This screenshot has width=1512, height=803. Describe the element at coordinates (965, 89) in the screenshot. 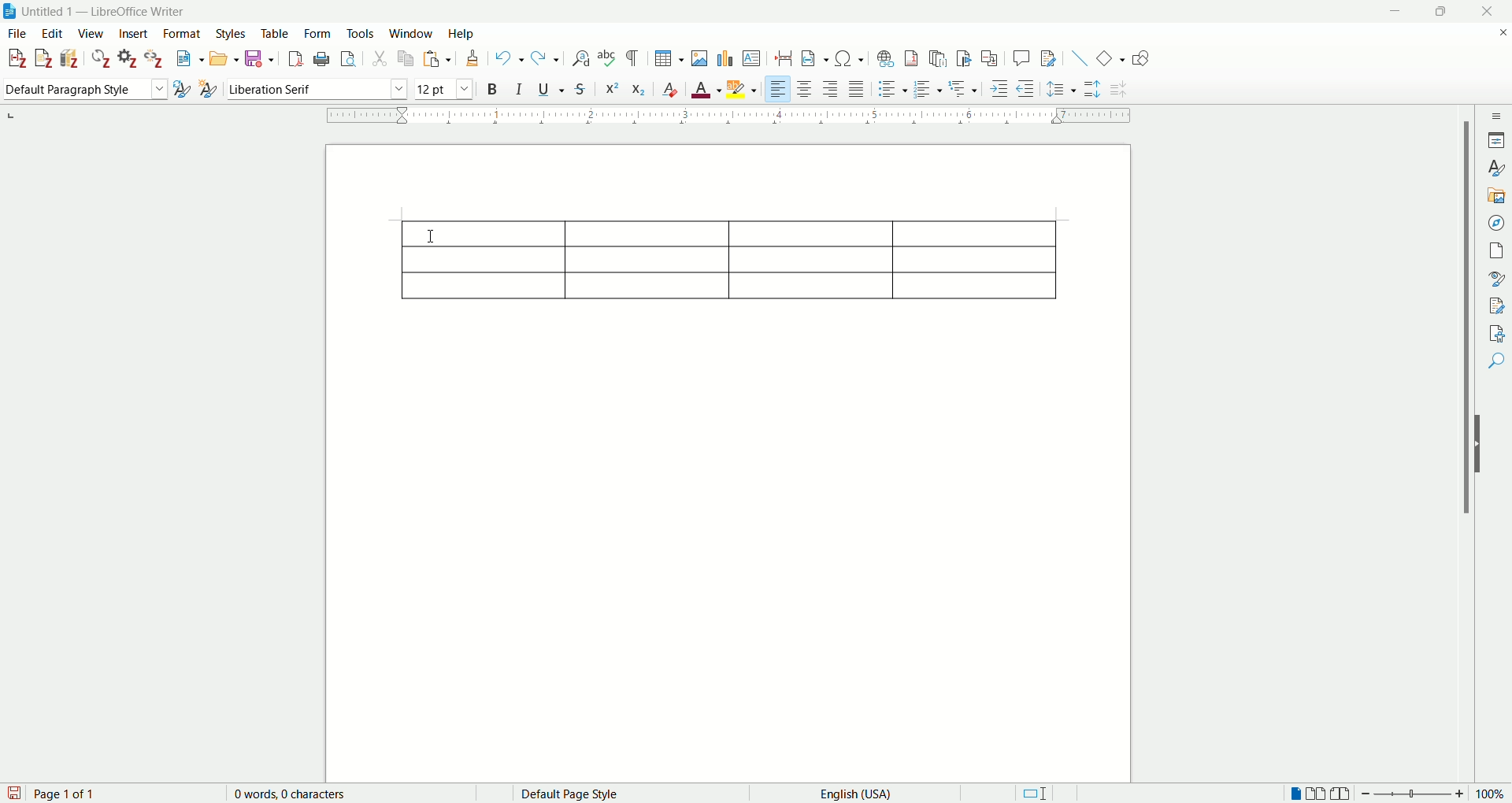

I see `format outline` at that location.